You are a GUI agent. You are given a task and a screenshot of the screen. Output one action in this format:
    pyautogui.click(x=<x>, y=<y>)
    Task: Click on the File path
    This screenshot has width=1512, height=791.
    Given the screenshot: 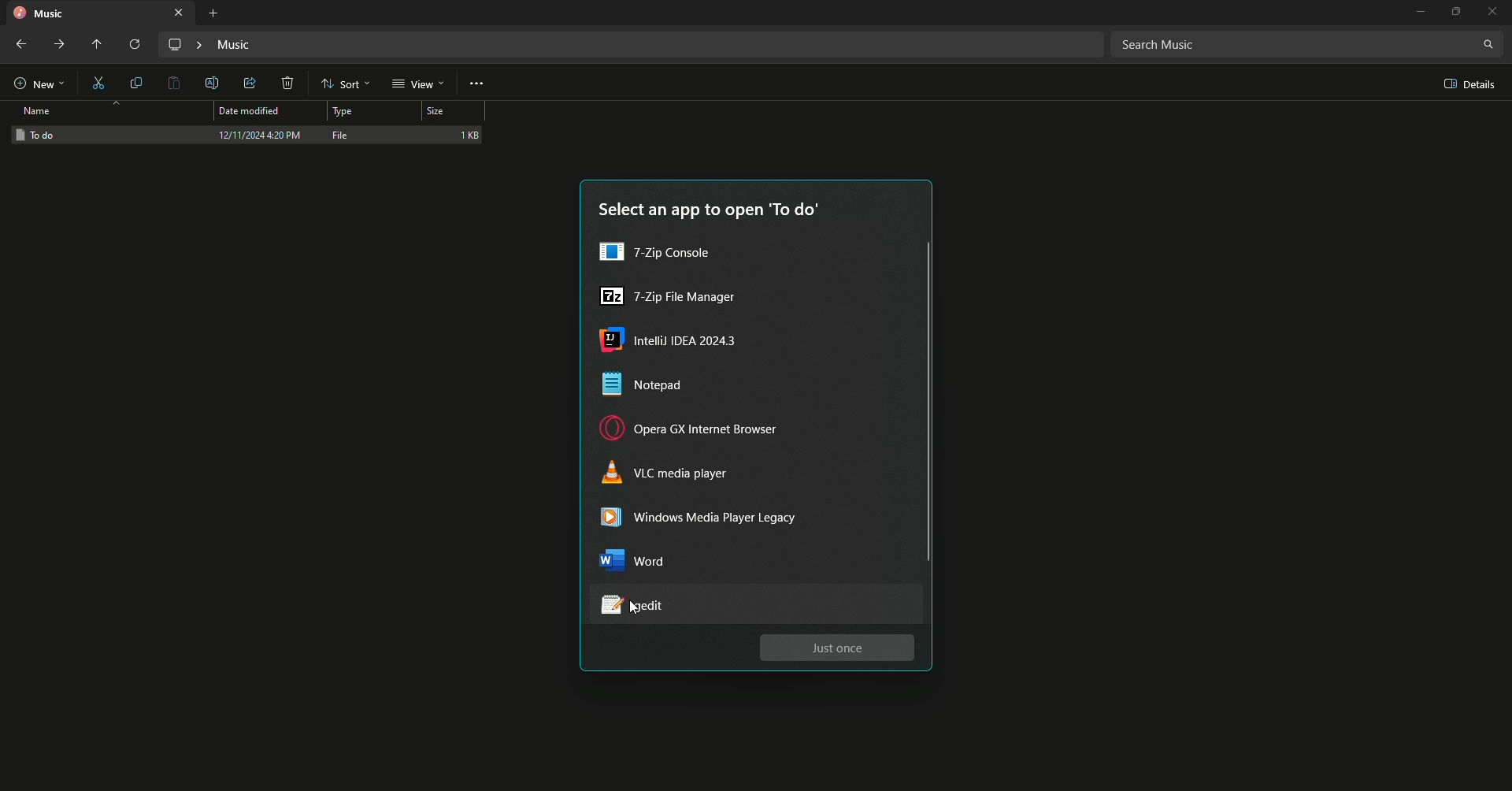 What is the action you would take?
    pyautogui.click(x=628, y=44)
    